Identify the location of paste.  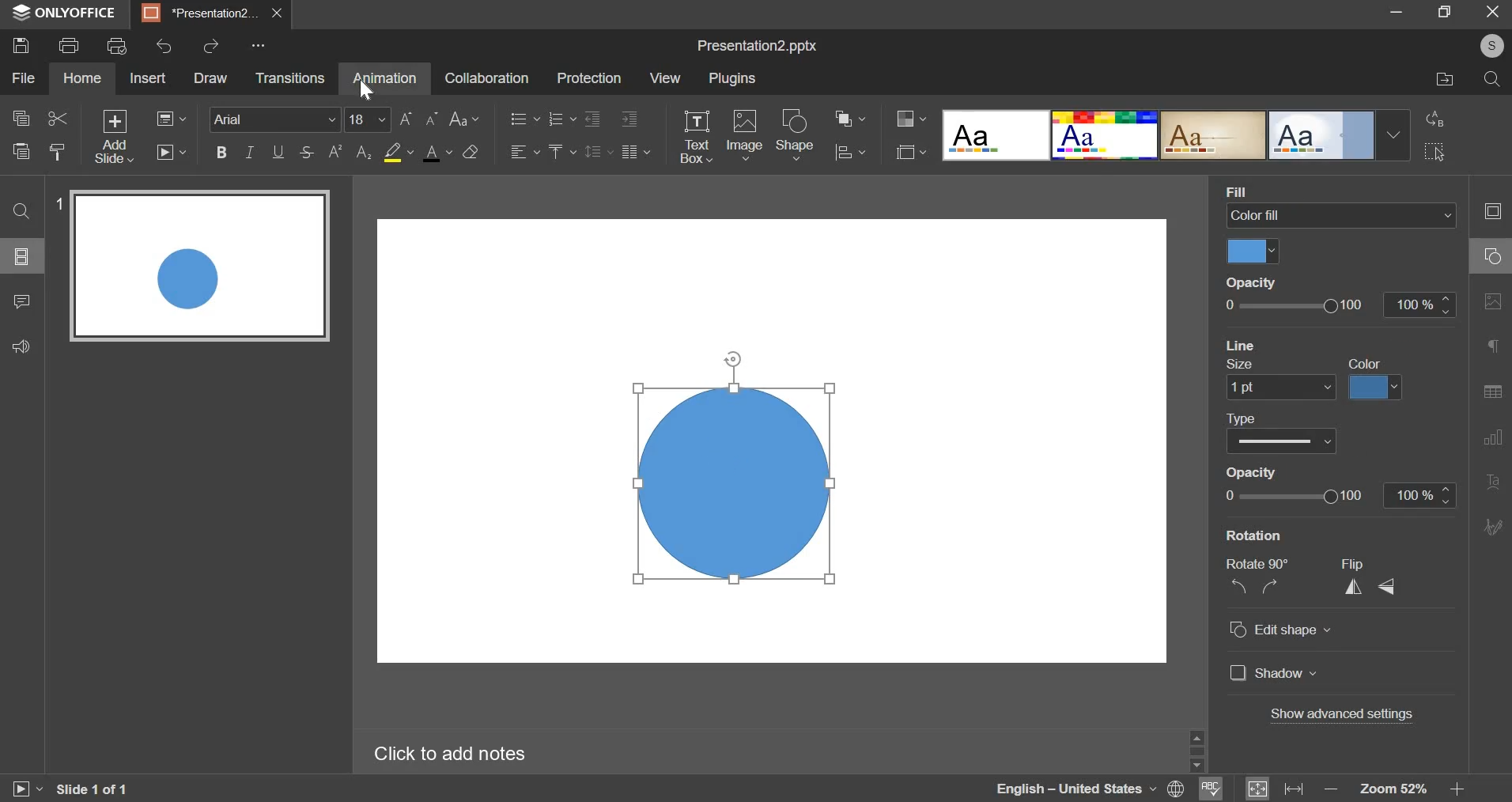
(21, 149).